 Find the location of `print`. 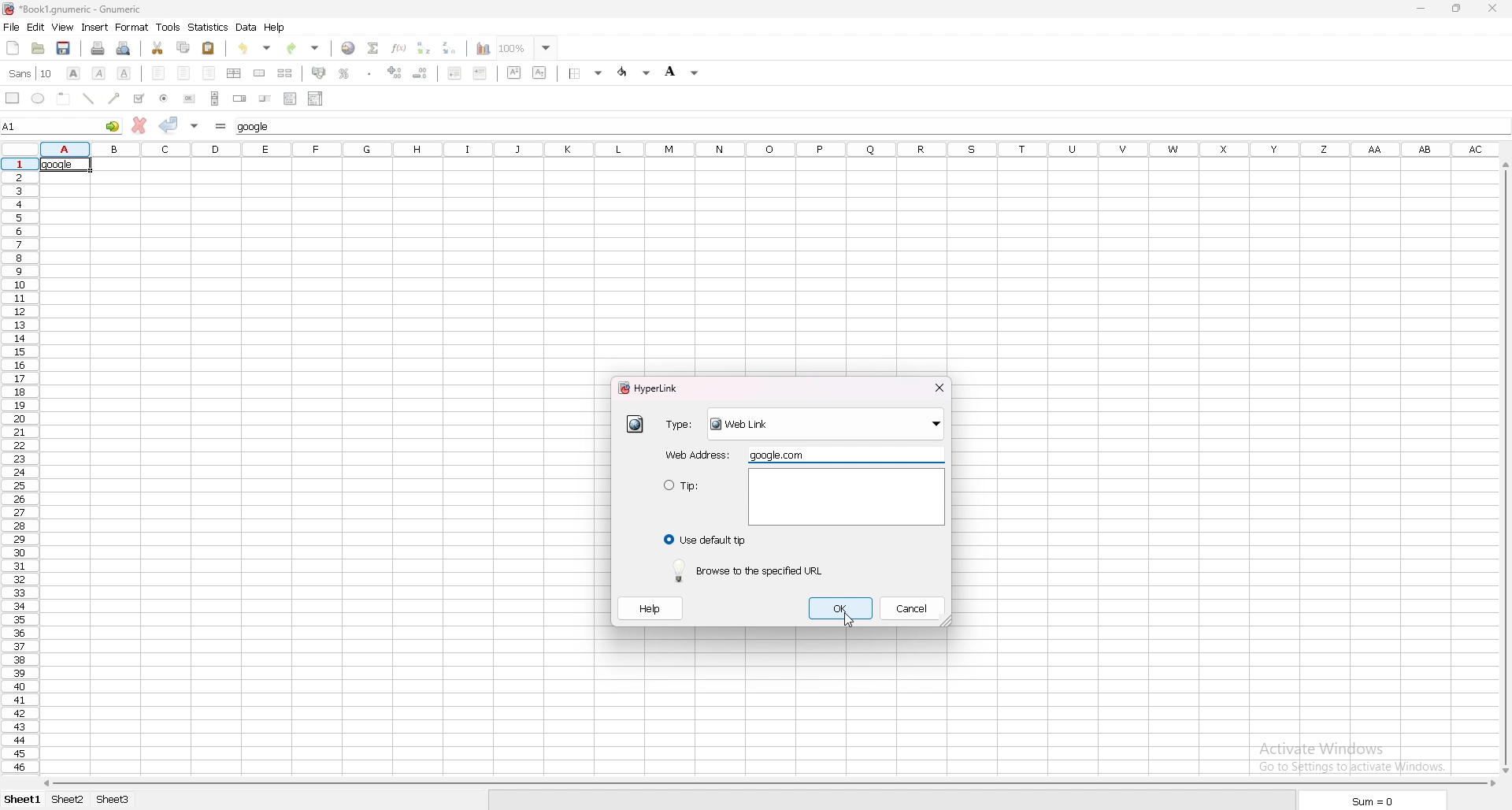

print is located at coordinates (98, 48).